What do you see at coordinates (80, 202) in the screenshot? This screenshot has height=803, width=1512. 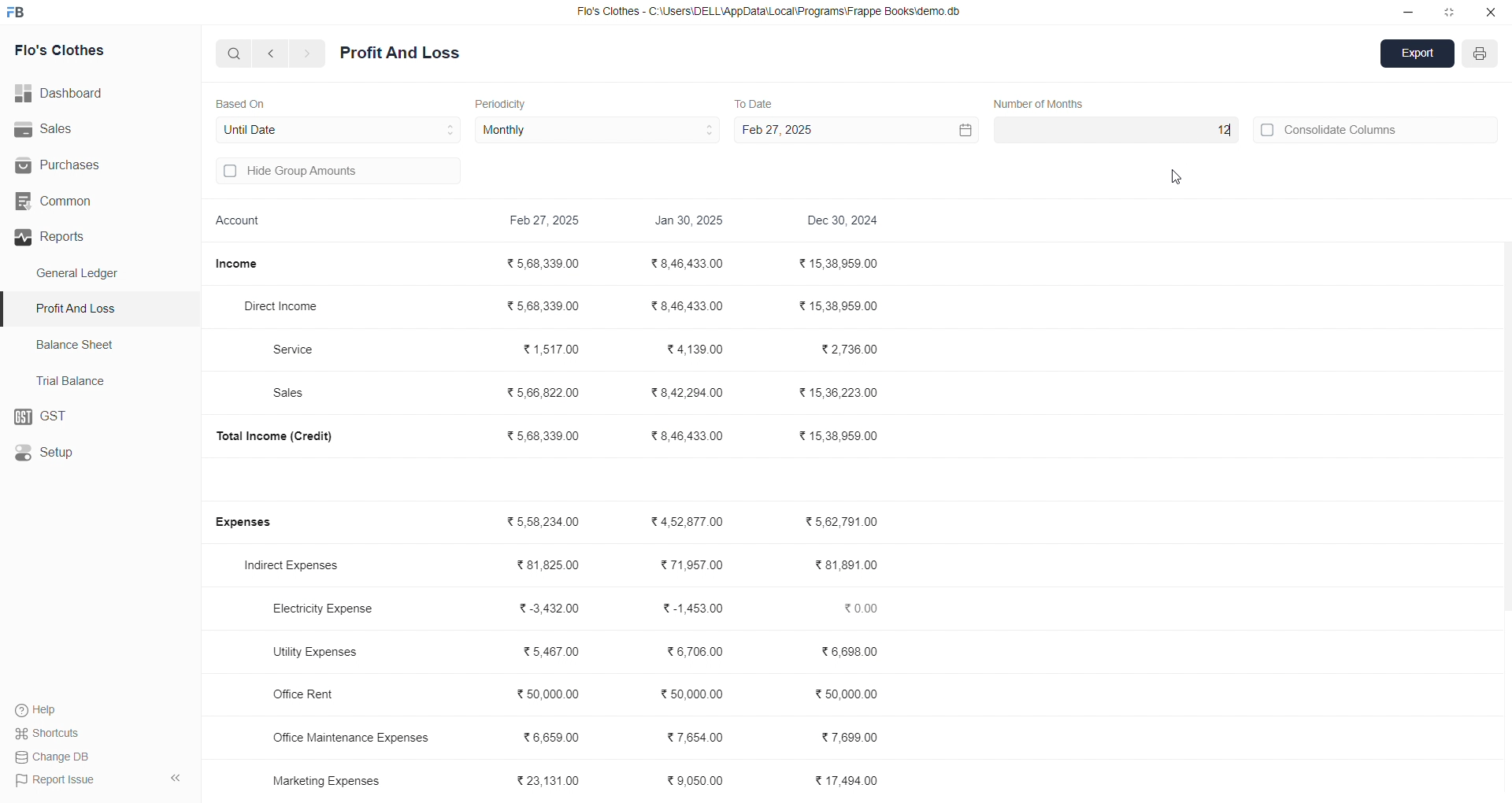 I see `Common` at bounding box center [80, 202].